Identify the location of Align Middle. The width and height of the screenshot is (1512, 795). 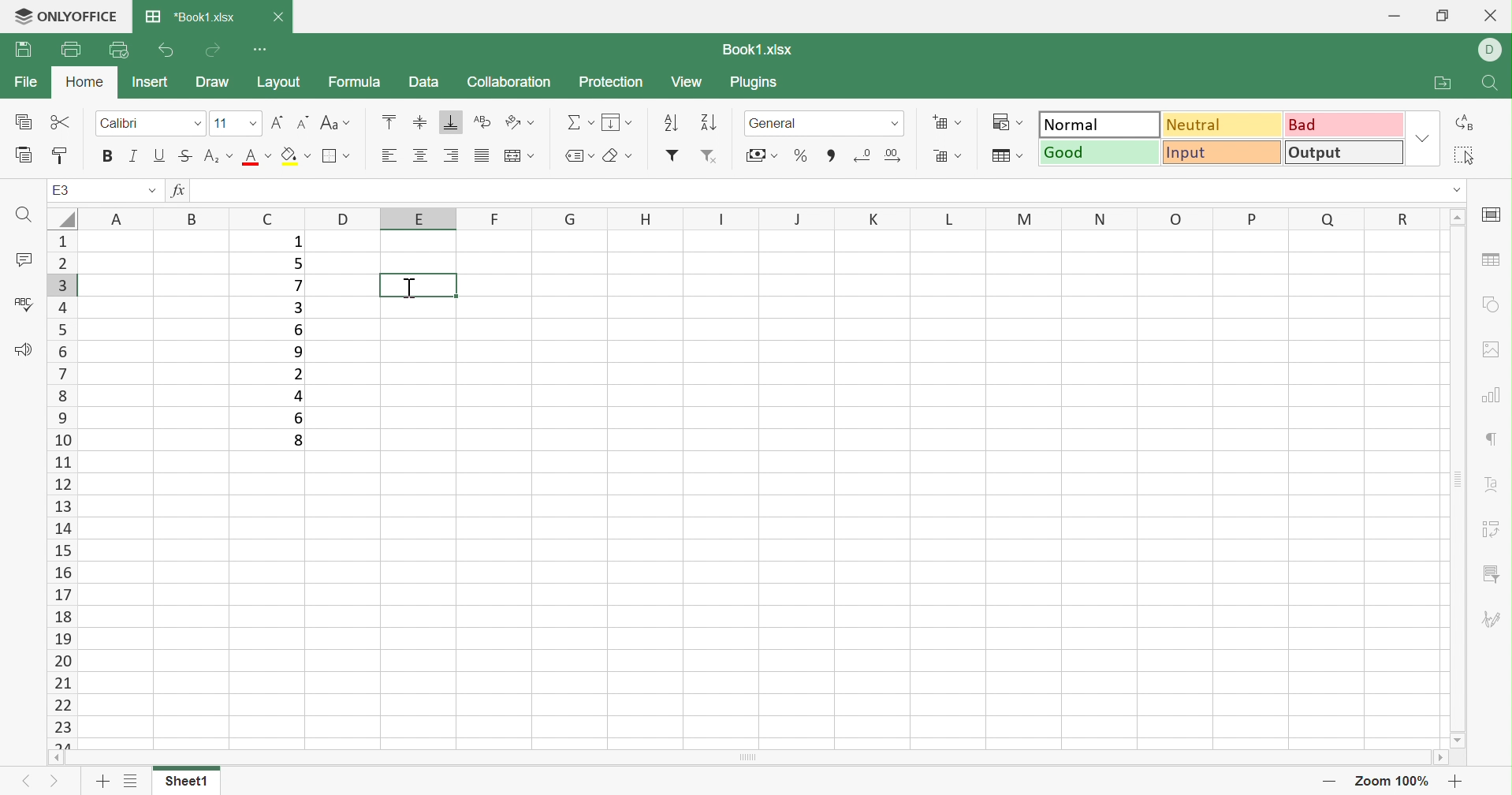
(420, 122).